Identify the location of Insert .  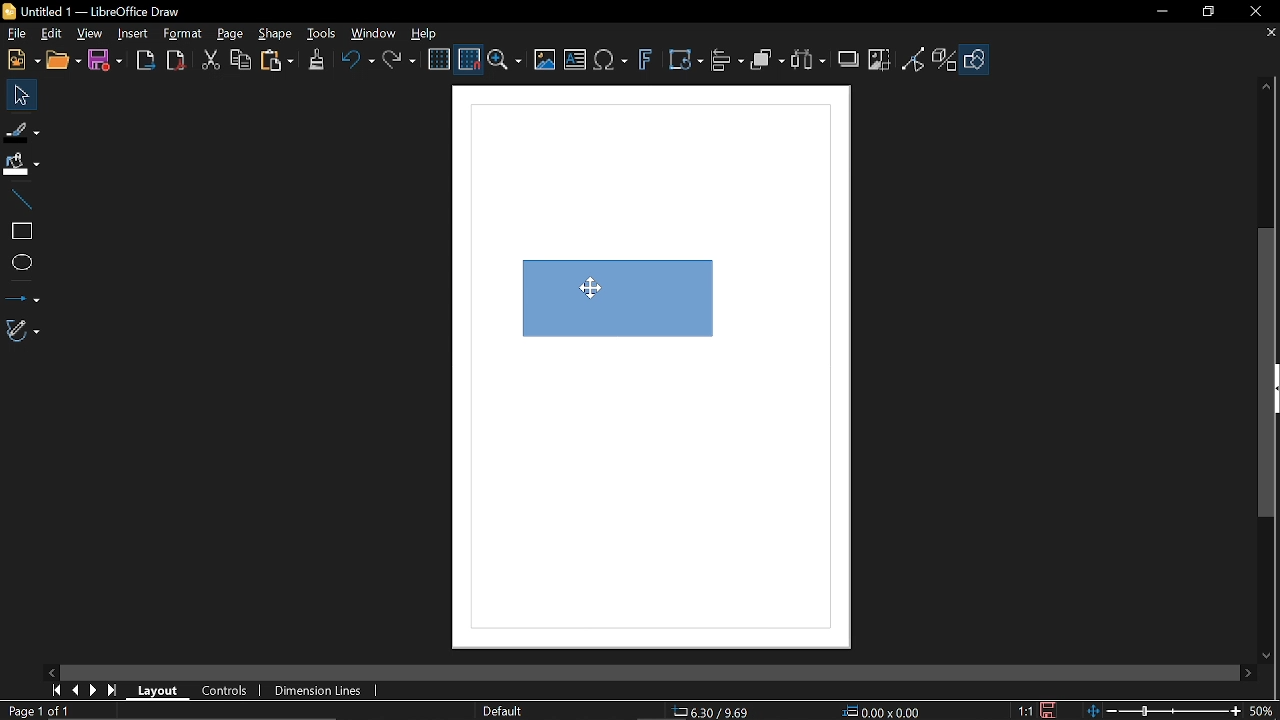
(132, 35).